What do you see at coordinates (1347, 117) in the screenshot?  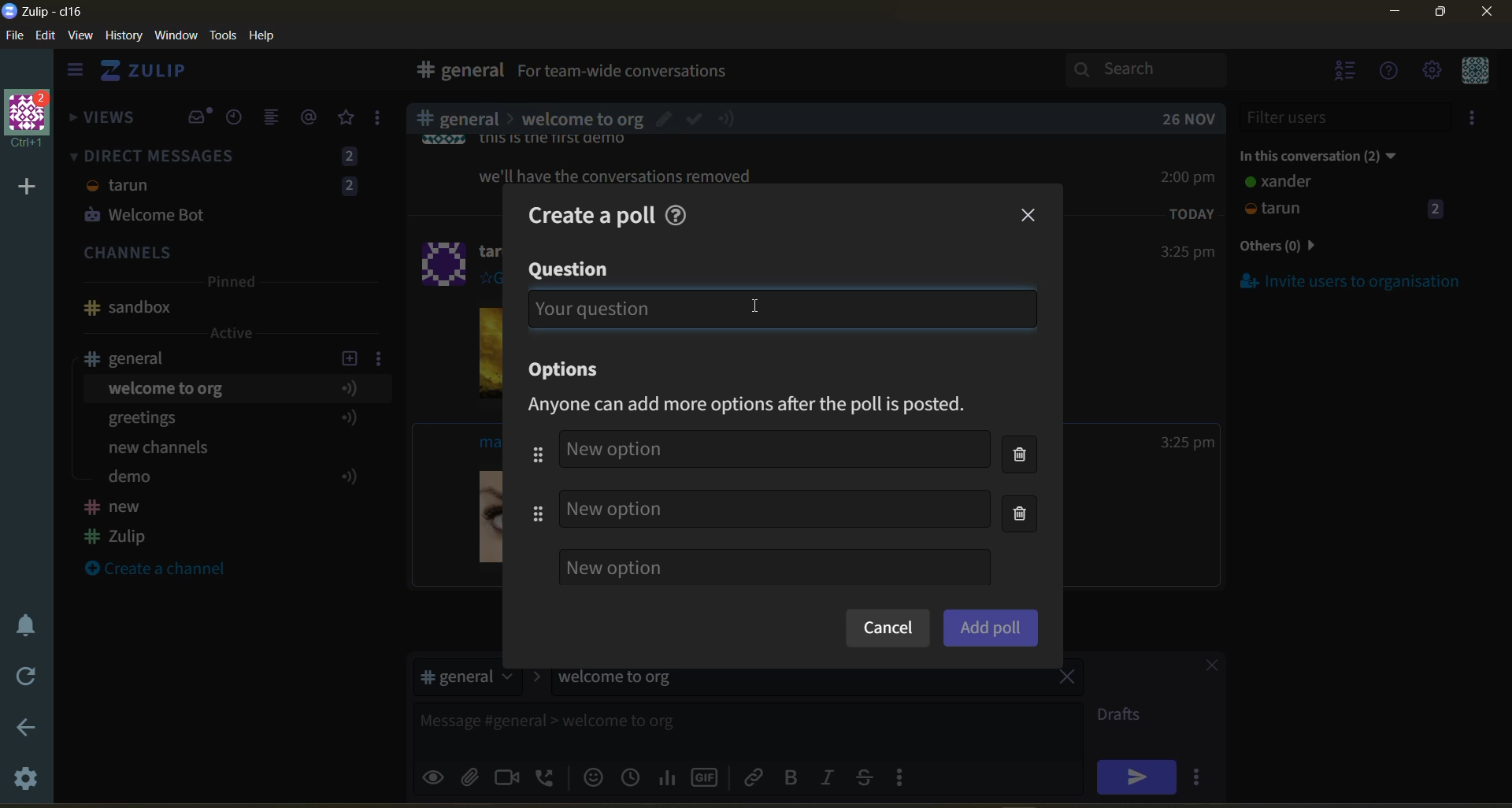 I see `filter users` at bounding box center [1347, 117].